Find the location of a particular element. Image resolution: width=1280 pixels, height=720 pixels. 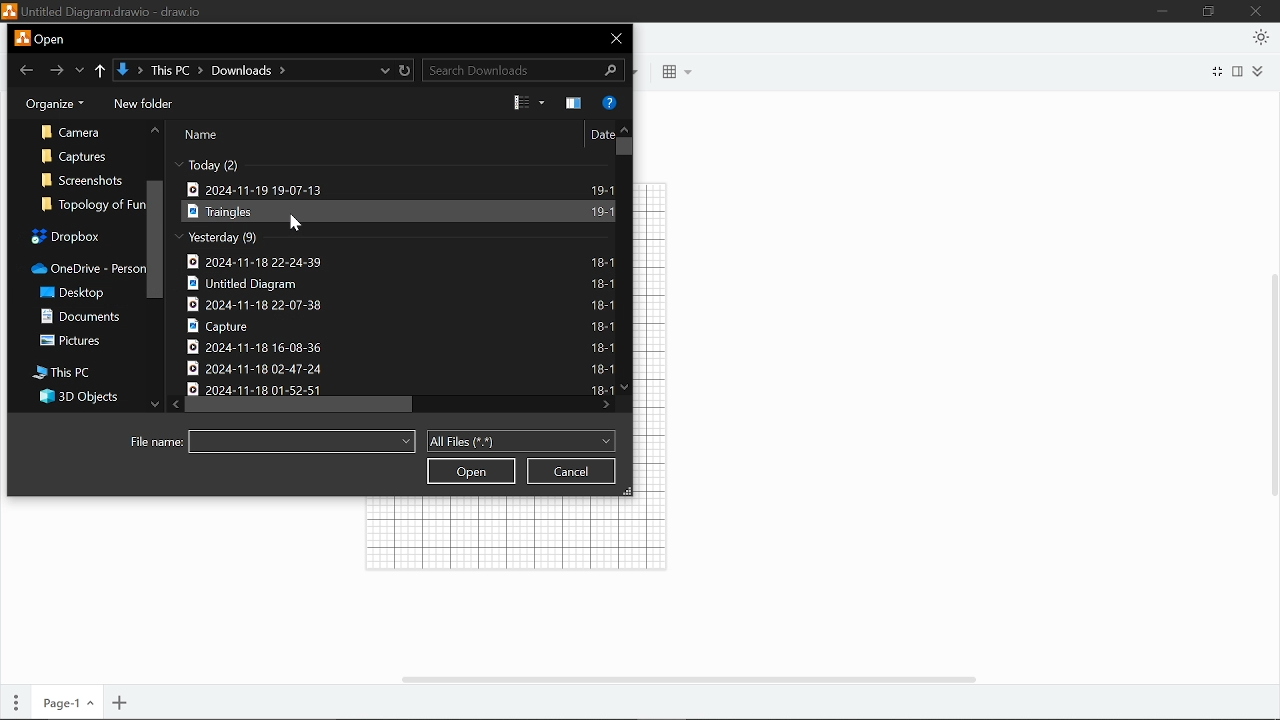

Path of current location is located at coordinates (243, 71).